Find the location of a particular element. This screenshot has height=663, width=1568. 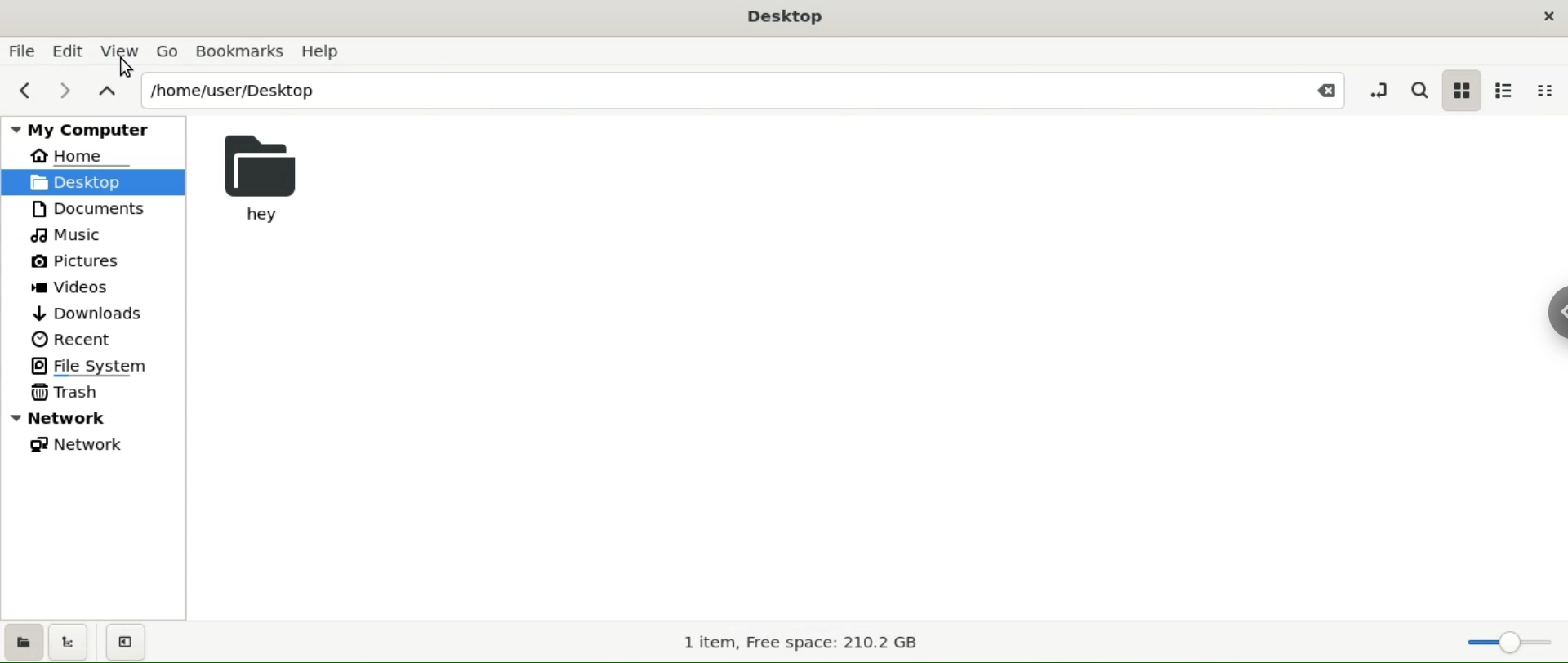

pictures is located at coordinates (75, 261).